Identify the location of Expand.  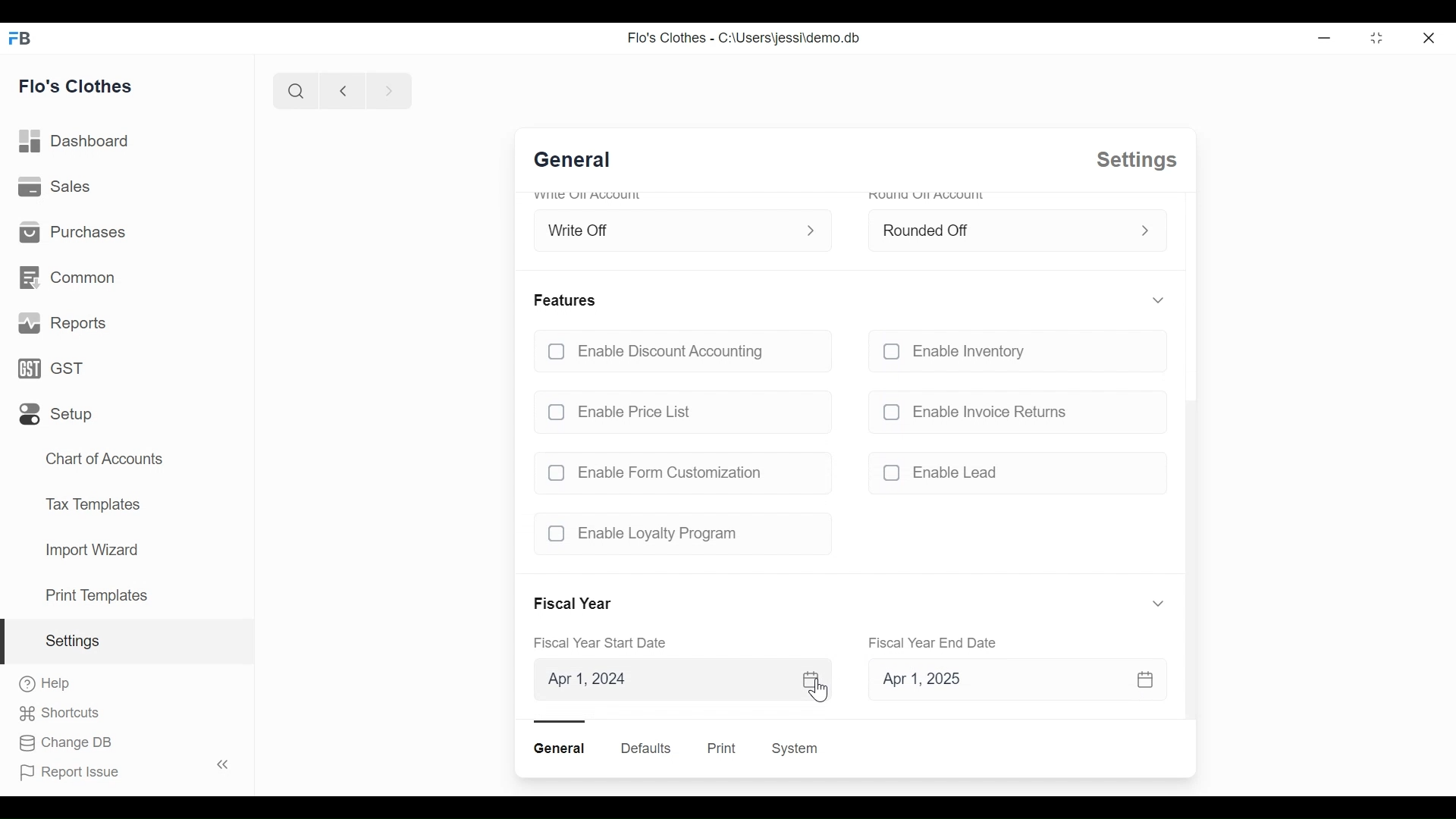
(814, 229).